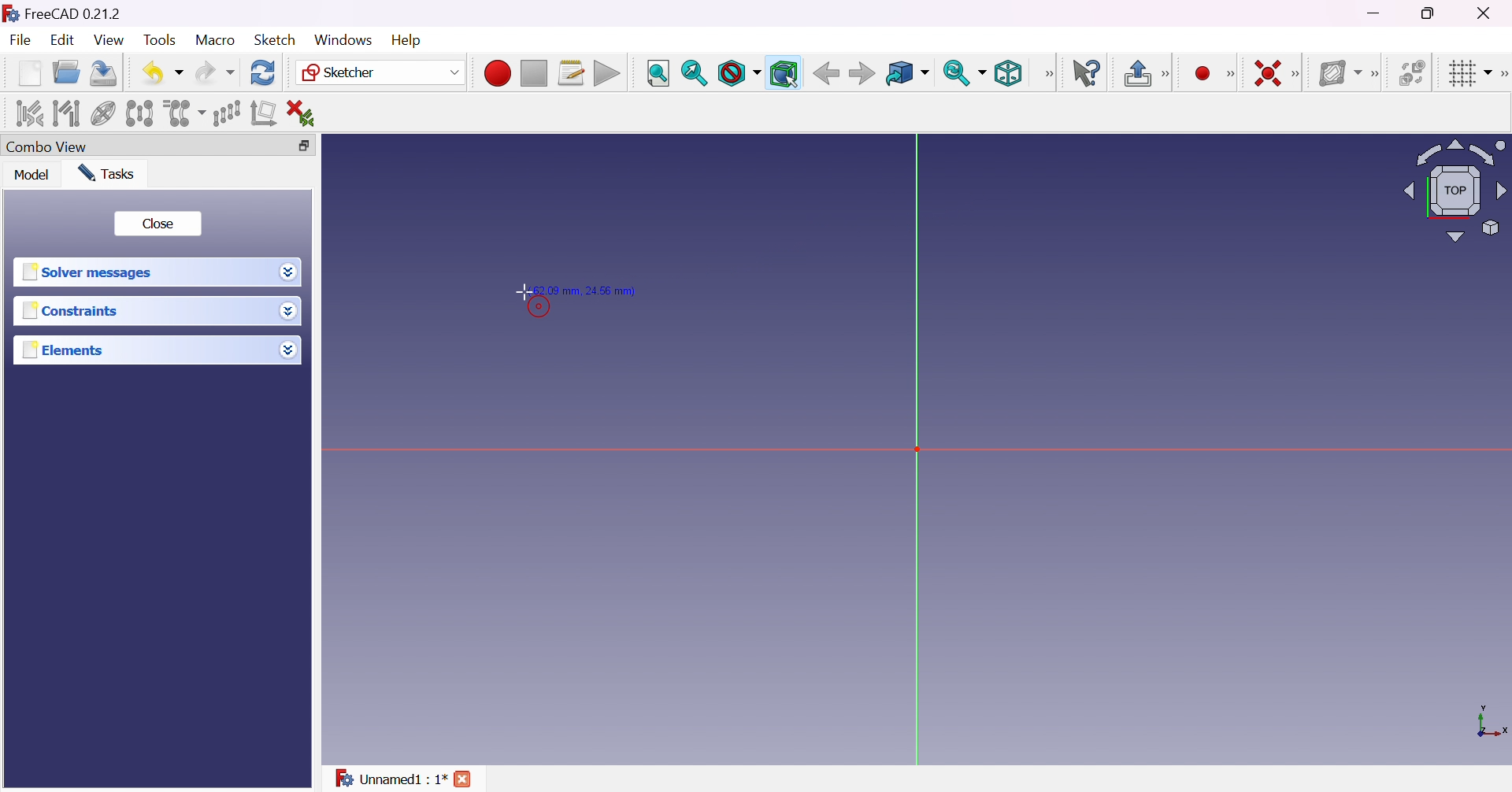 The height and width of the screenshot is (792, 1512). I want to click on Rectangular array, so click(226, 112).